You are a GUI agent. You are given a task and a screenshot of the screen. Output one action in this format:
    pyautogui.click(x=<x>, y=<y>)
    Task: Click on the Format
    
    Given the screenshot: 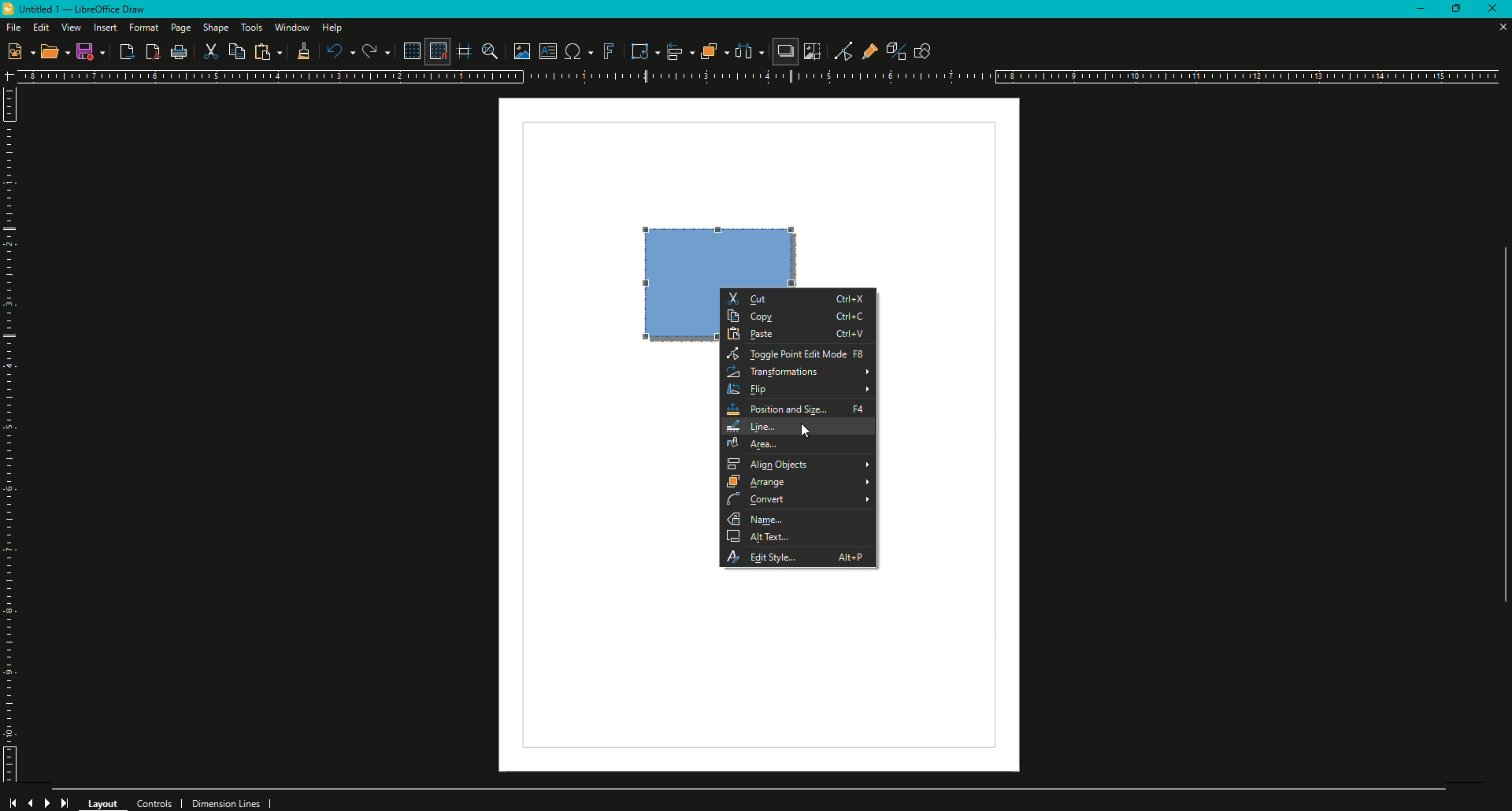 What is the action you would take?
    pyautogui.click(x=144, y=28)
    